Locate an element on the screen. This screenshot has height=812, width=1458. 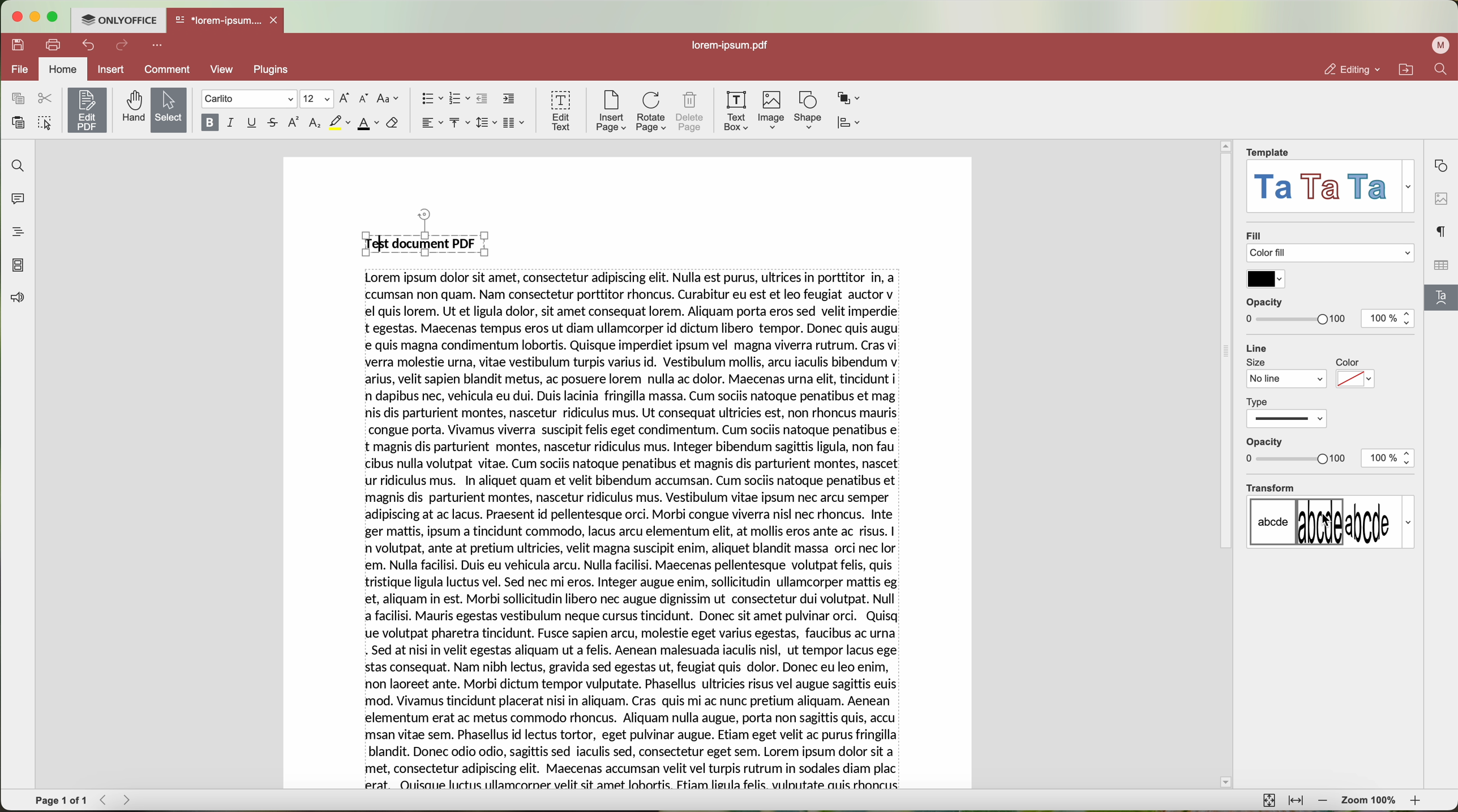
select all is located at coordinates (45, 122).